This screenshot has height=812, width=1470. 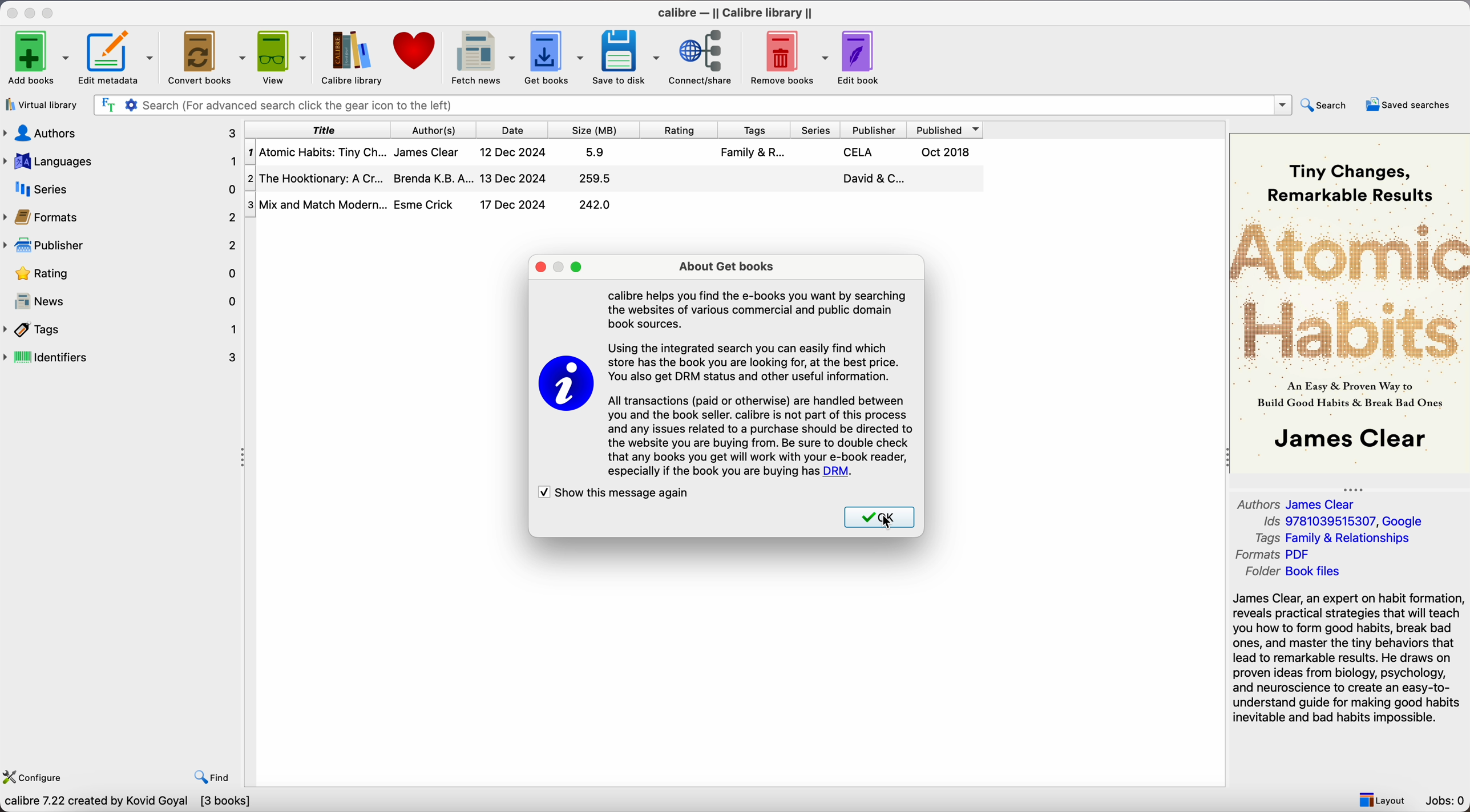 What do you see at coordinates (122, 132) in the screenshot?
I see `authors` at bounding box center [122, 132].